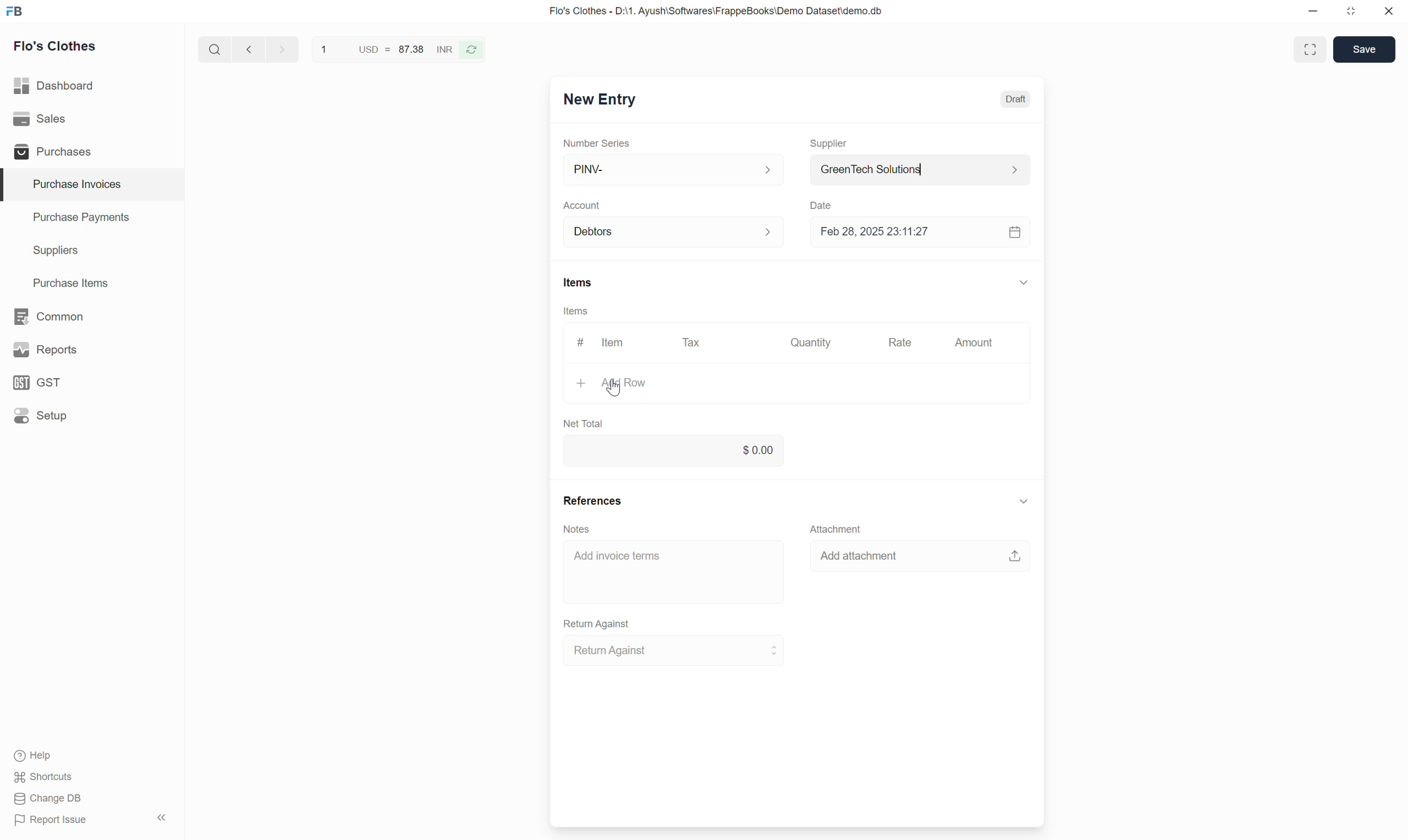  Describe the element at coordinates (604, 342) in the screenshot. I see `# Item` at that location.